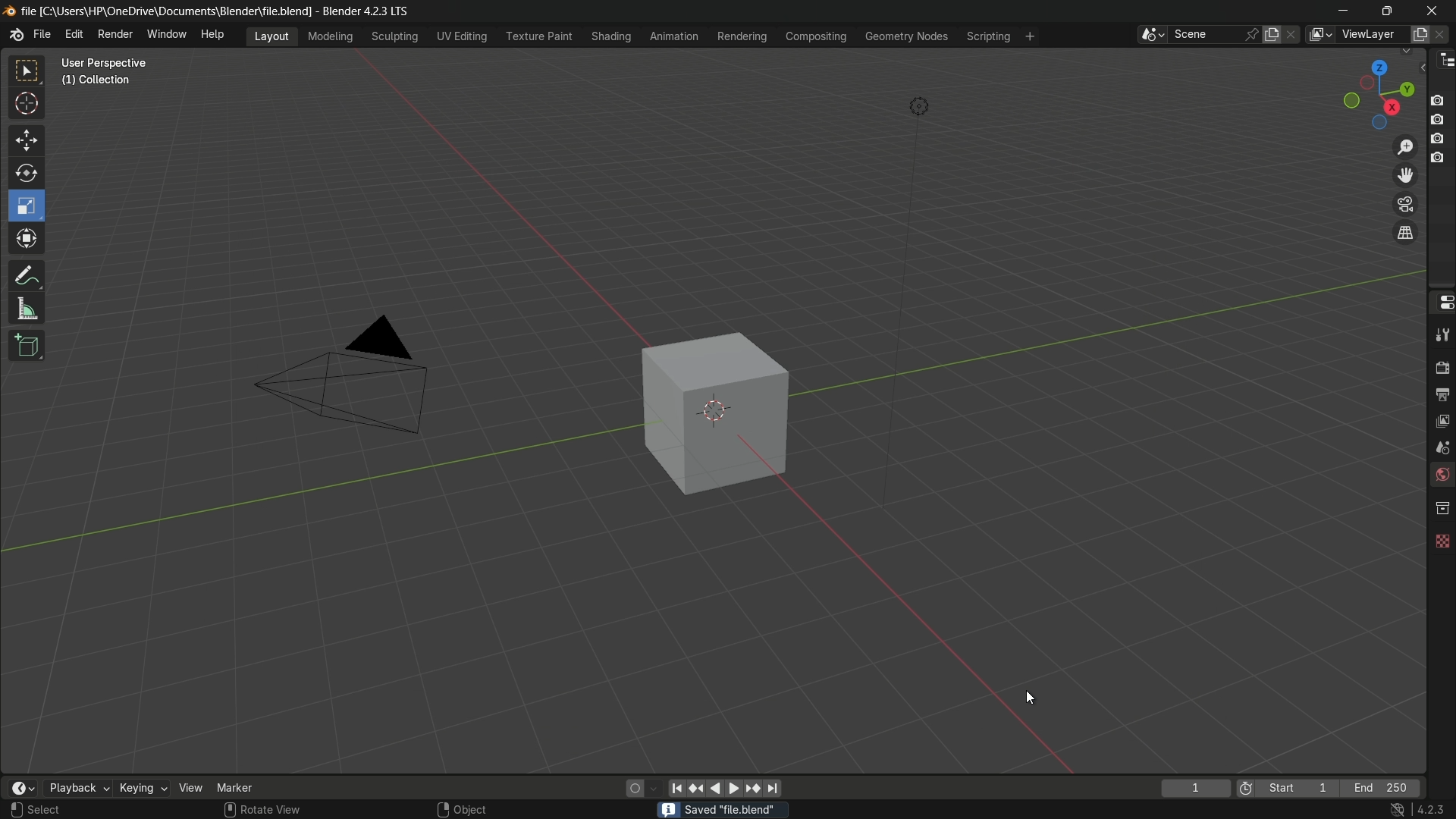 This screenshot has width=1456, height=819. What do you see at coordinates (1254, 34) in the screenshot?
I see `pin scene to workplace` at bounding box center [1254, 34].